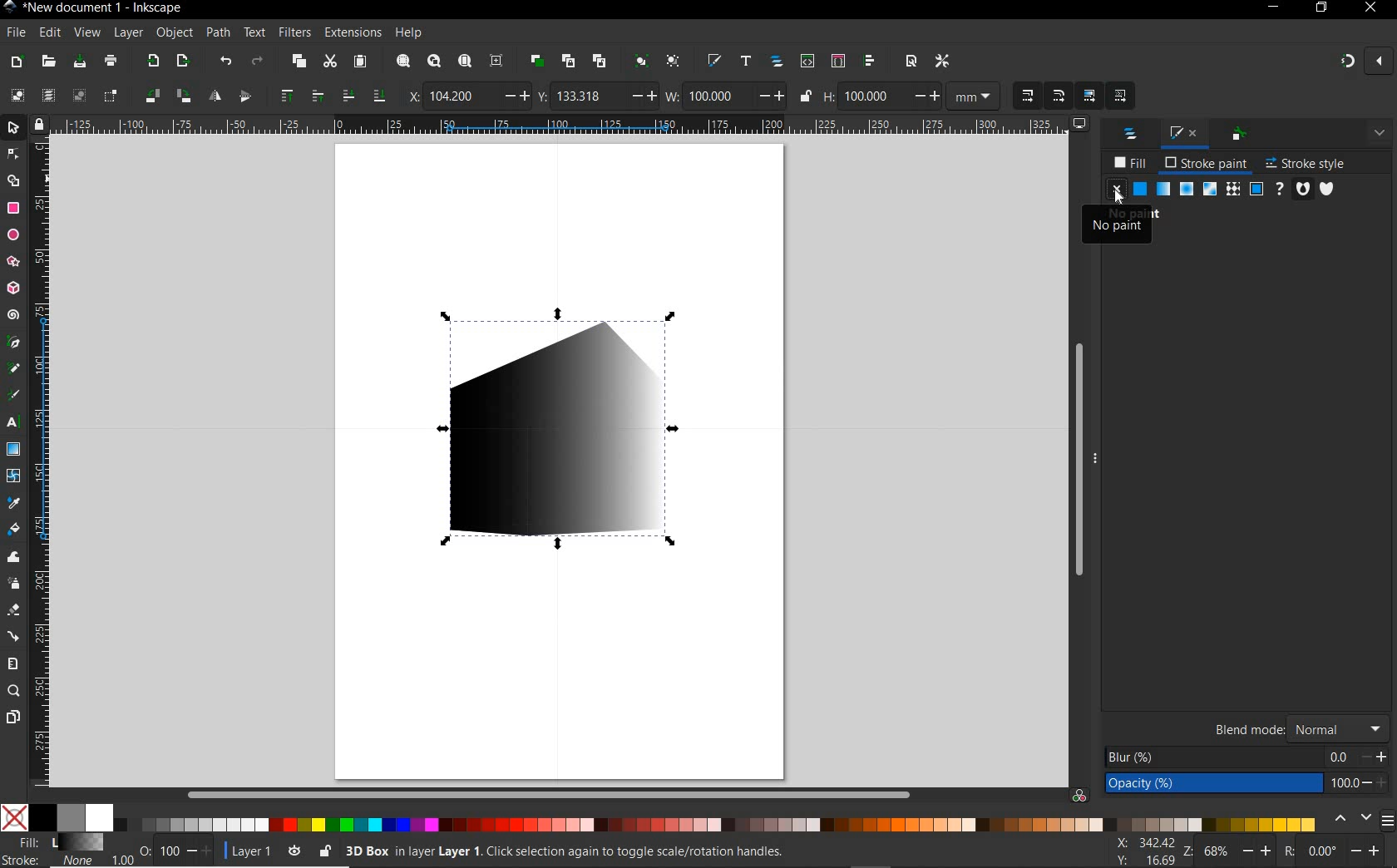  Describe the element at coordinates (1381, 135) in the screenshot. I see `EXPAND` at that location.